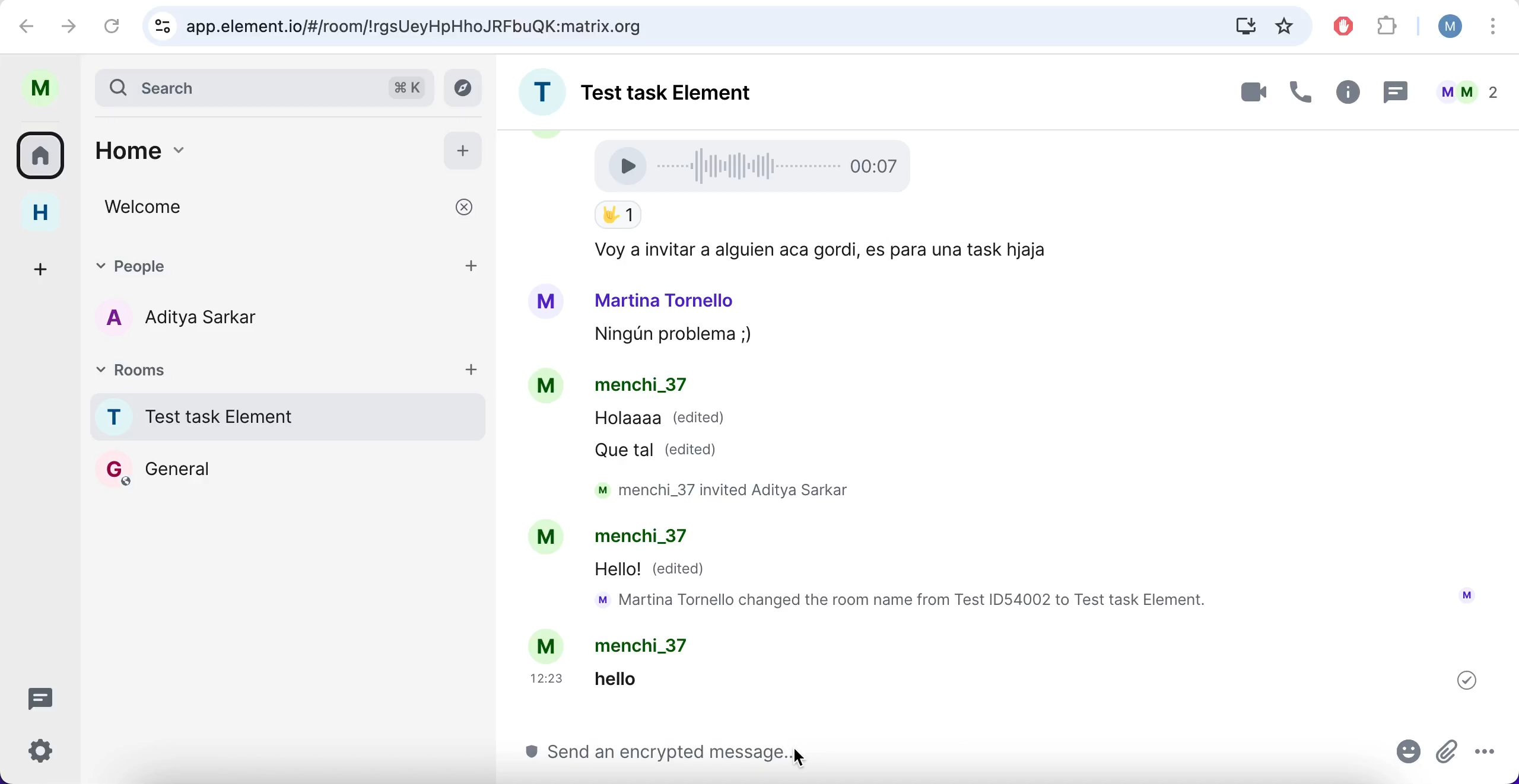 This screenshot has width=1519, height=784. I want to click on menchi_37, so click(651, 539).